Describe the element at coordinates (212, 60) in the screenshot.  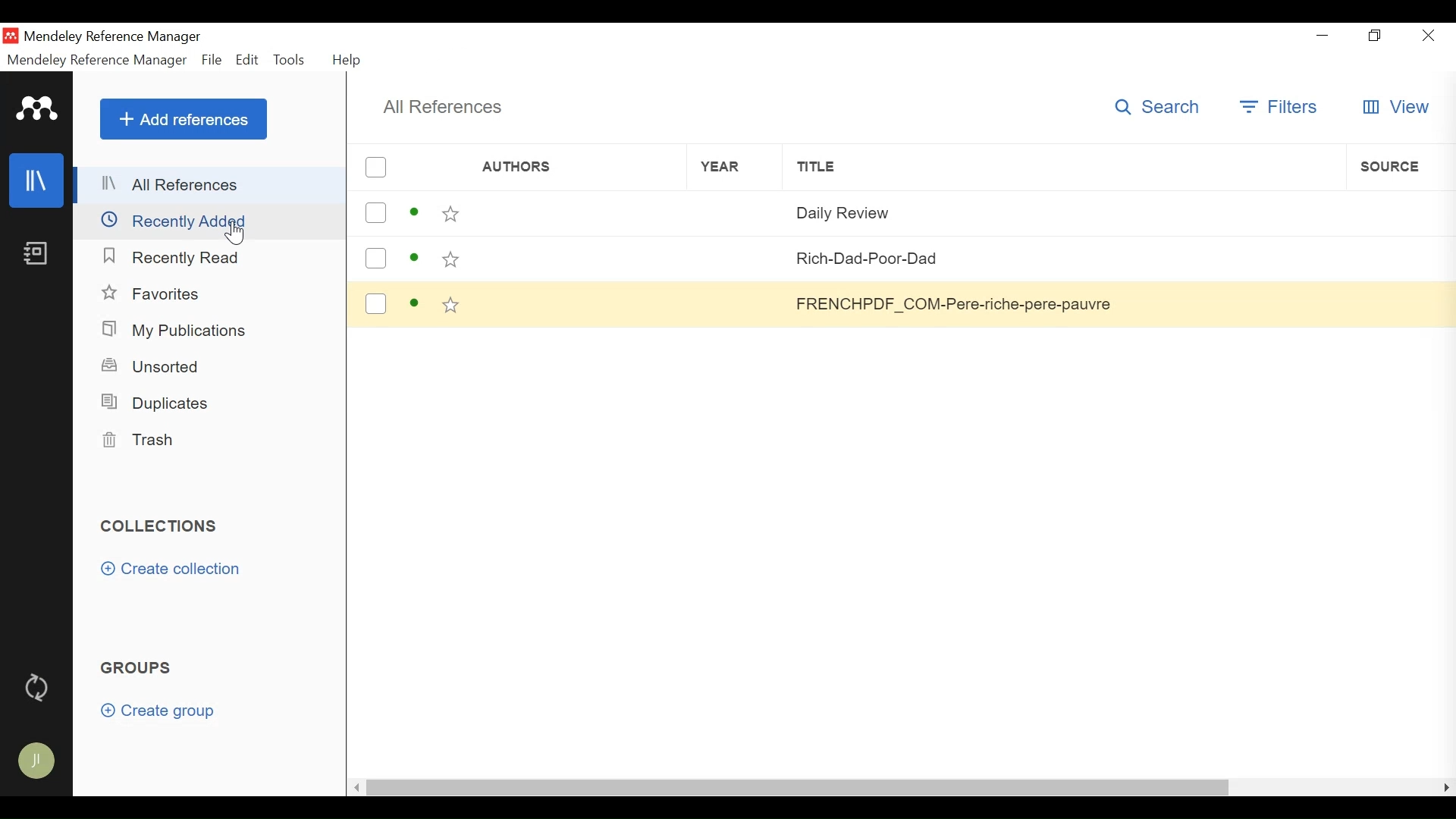
I see `File` at that location.